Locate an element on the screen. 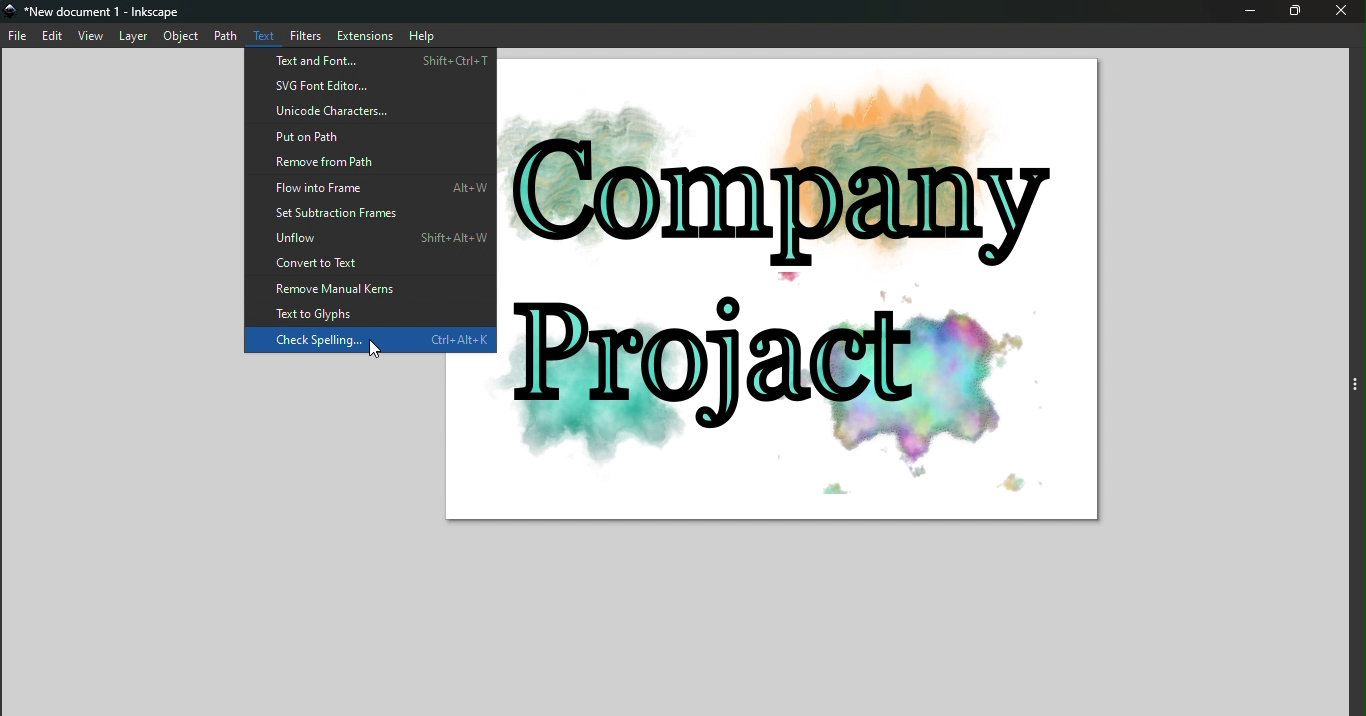 This screenshot has width=1366, height=716. help is located at coordinates (420, 35).